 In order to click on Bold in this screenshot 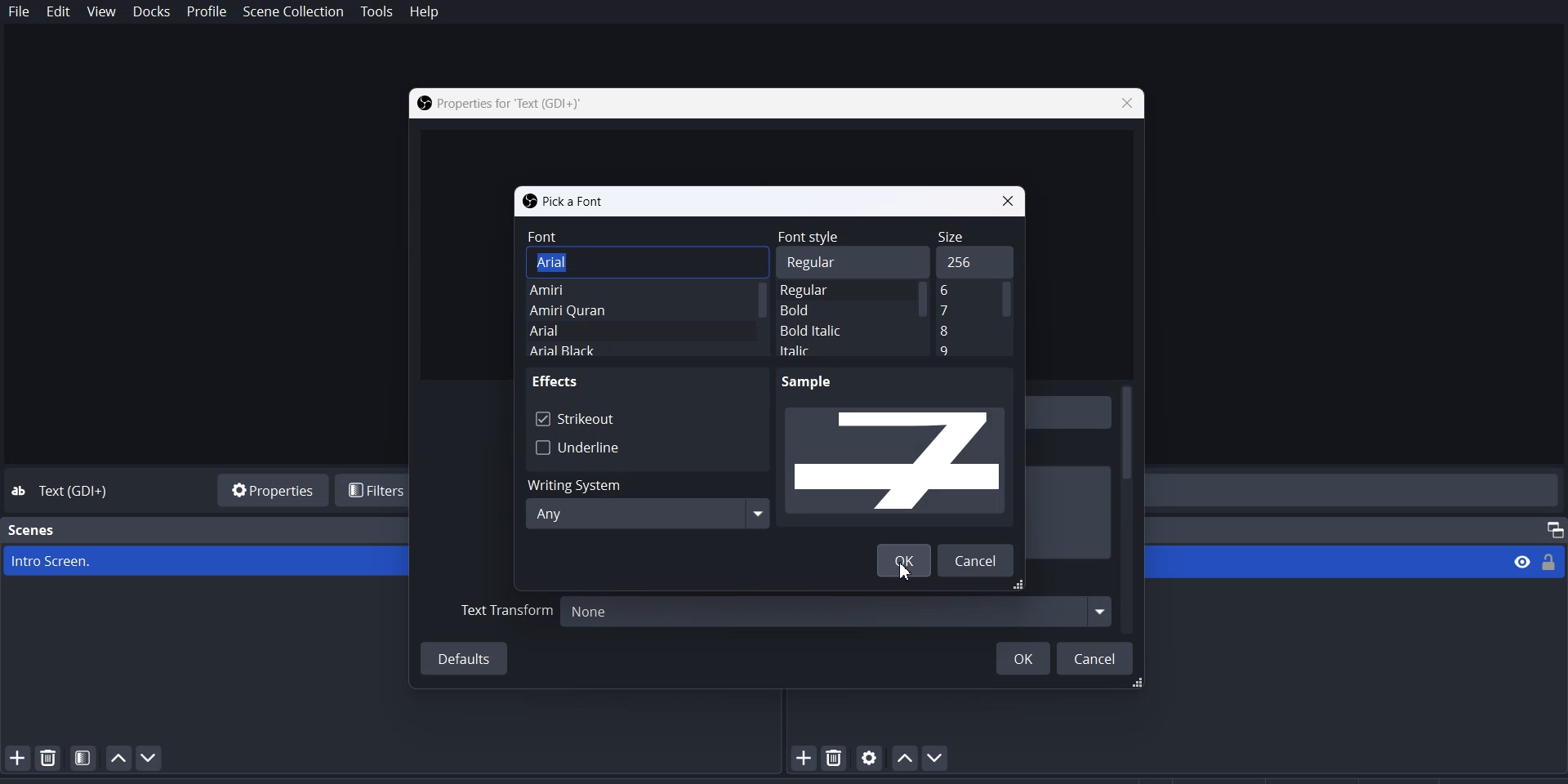, I will do `click(819, 310)`.